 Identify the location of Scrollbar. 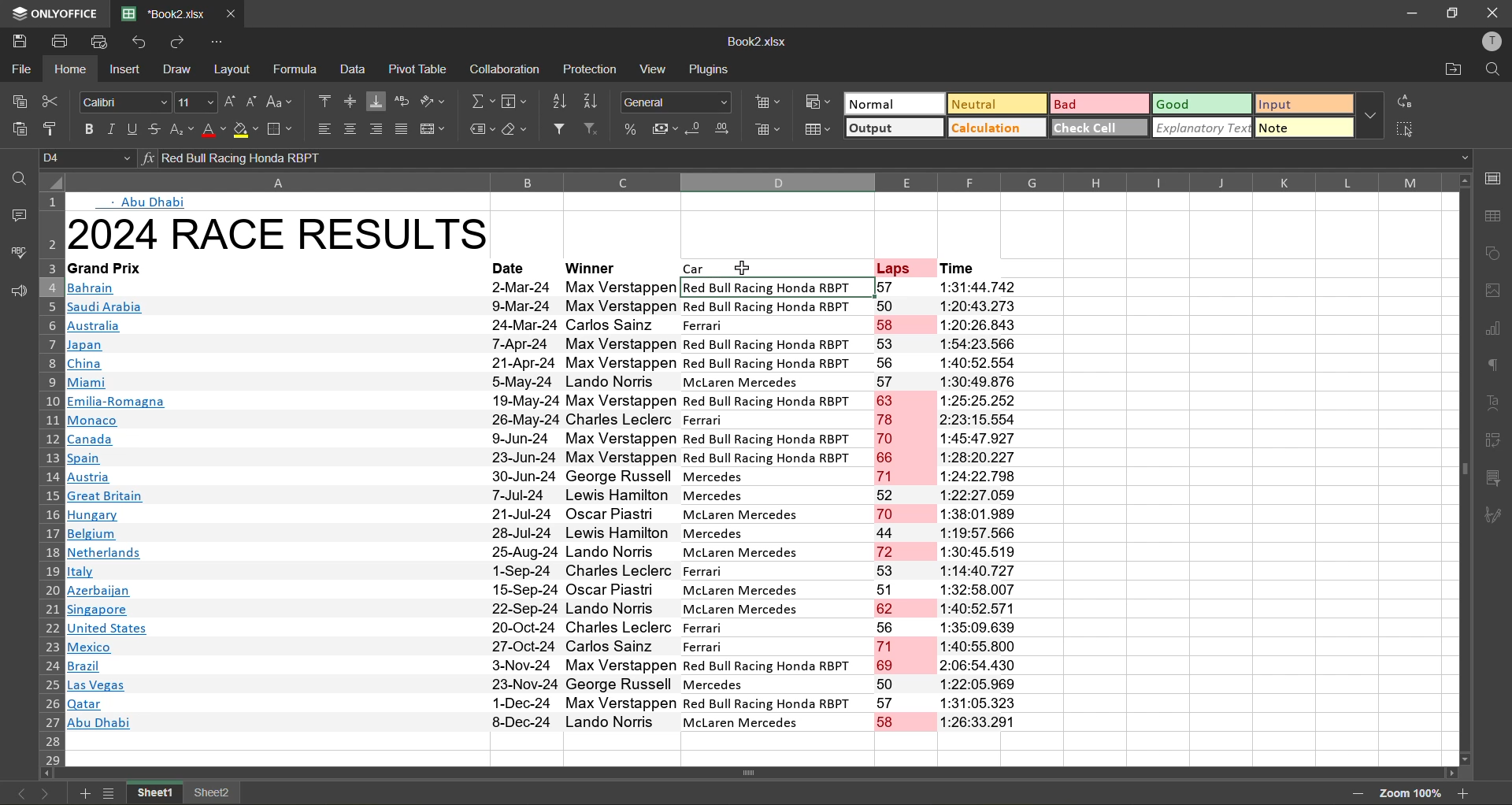
(598, 778).